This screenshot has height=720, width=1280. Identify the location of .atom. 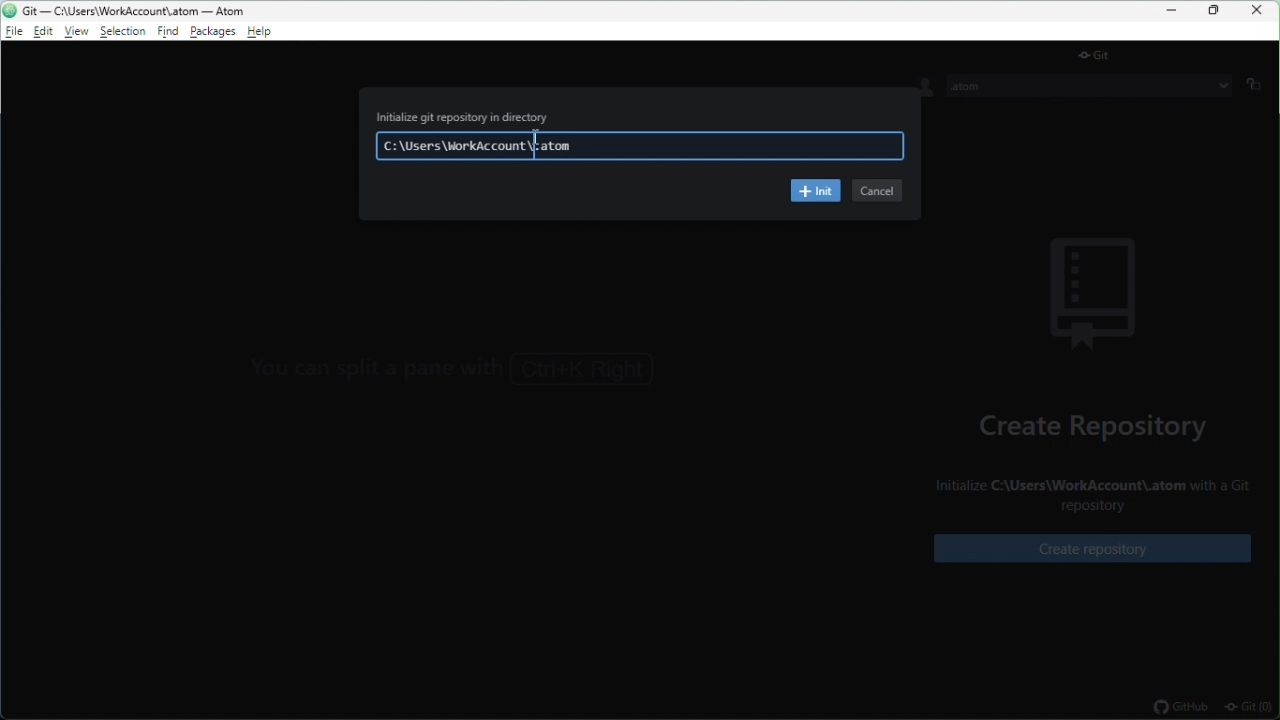
(1091, 88).